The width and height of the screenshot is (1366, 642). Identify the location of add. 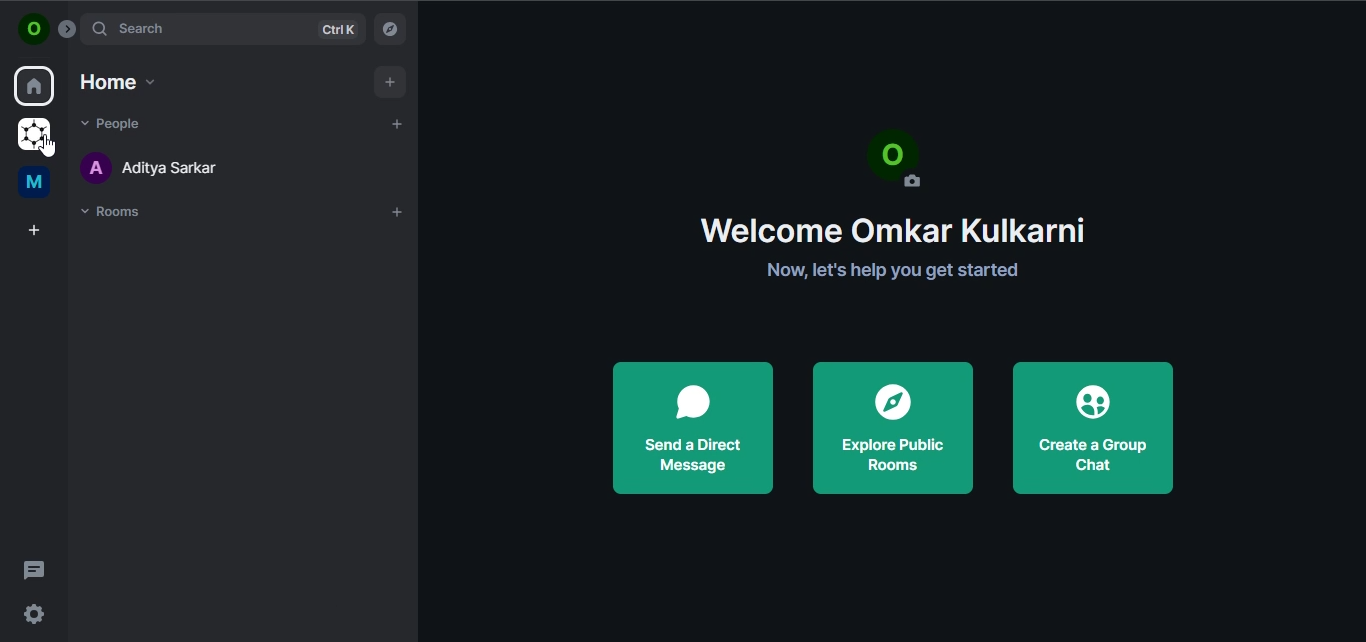
(392, 80).